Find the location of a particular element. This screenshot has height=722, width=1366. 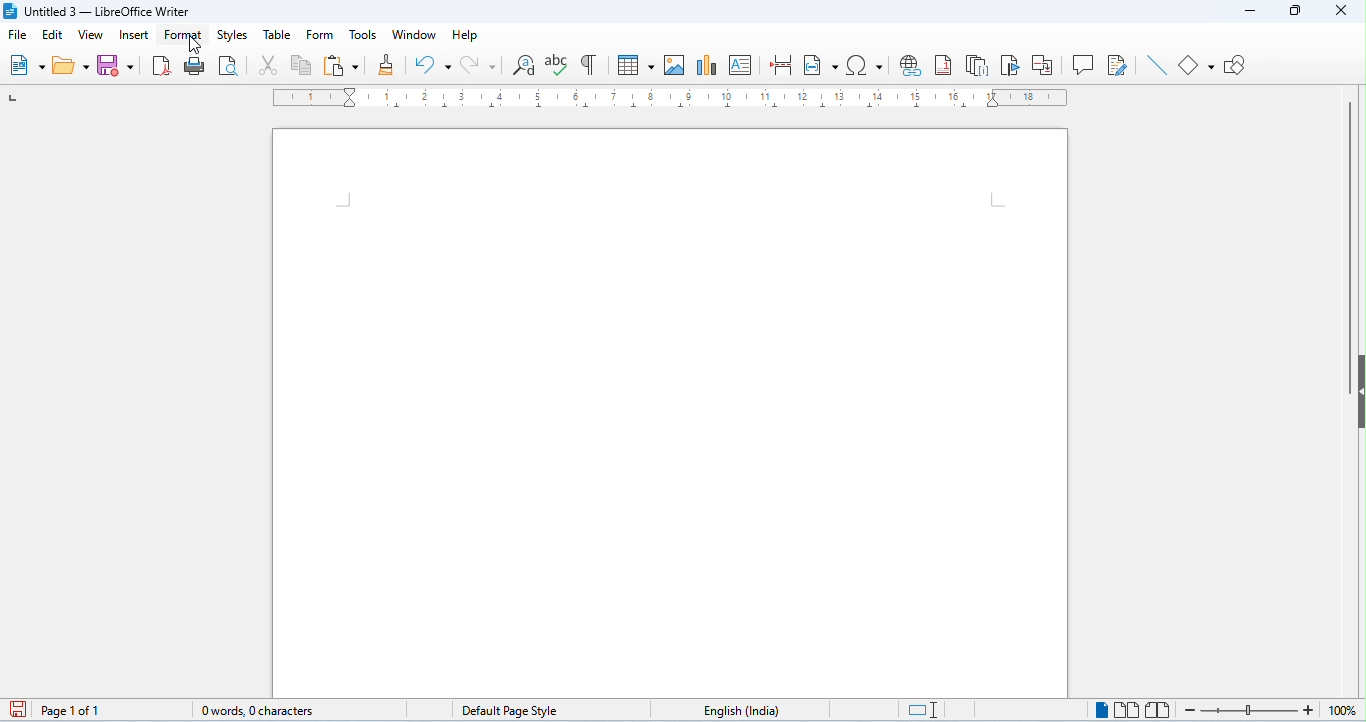

line is located at coordinates (1157, 65).